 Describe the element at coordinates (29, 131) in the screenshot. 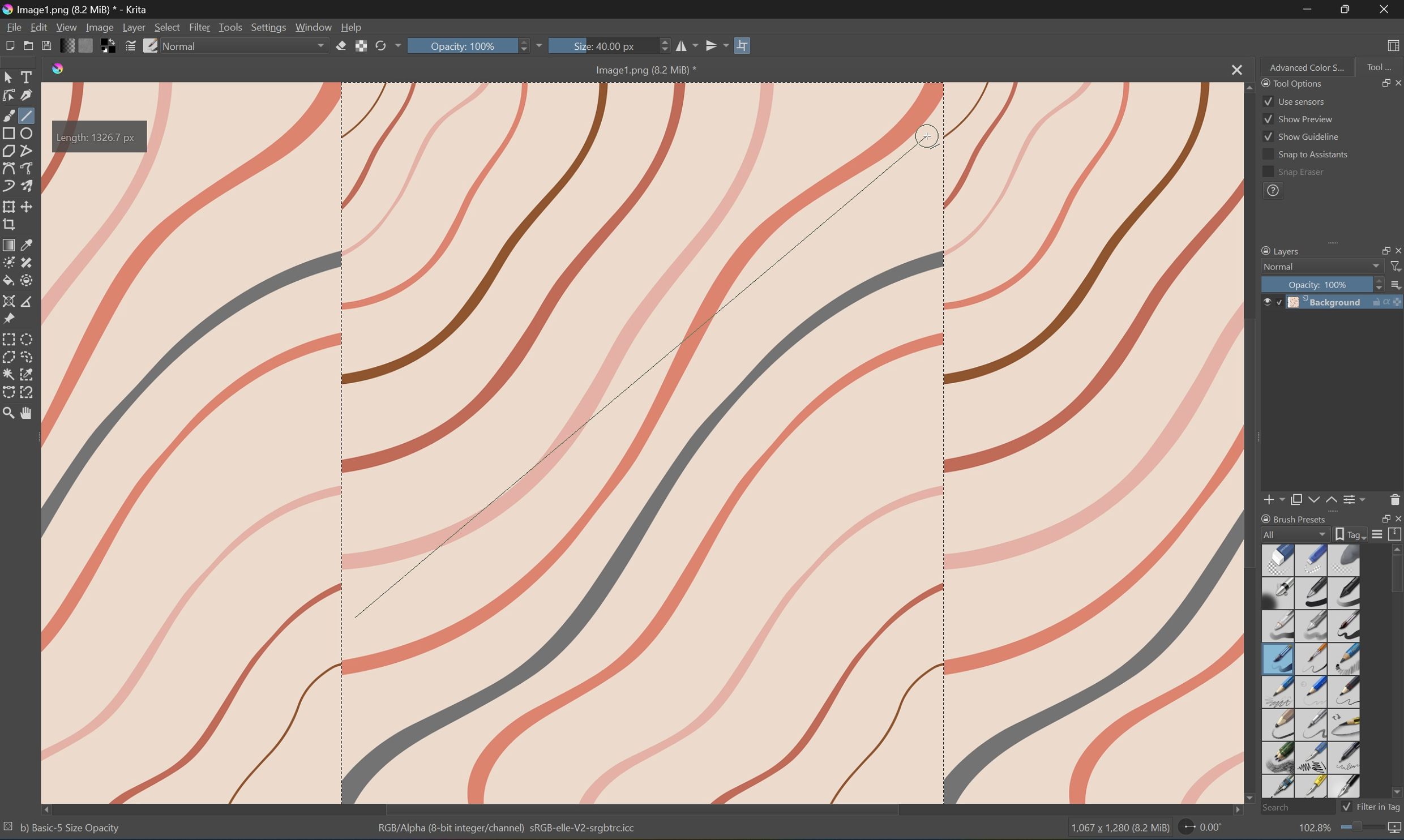

I see `Ellipse tool` at that location.